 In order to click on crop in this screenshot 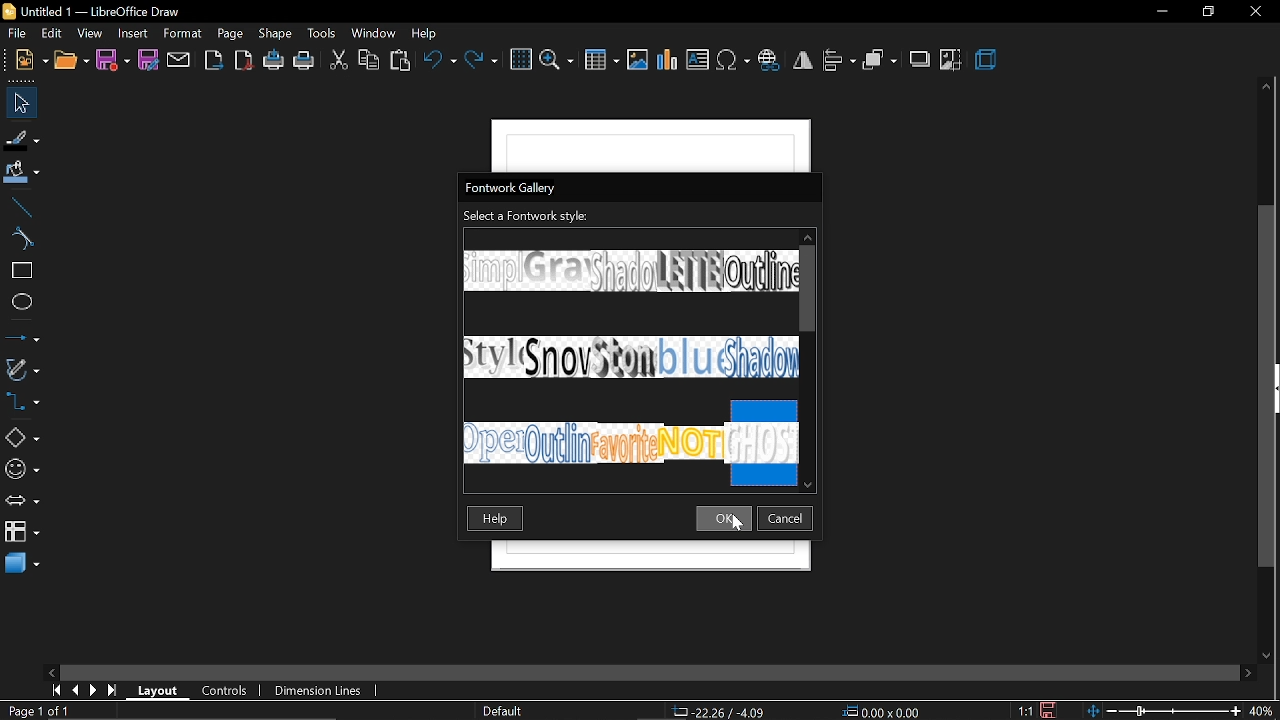, I will do `click(950, 61)`.